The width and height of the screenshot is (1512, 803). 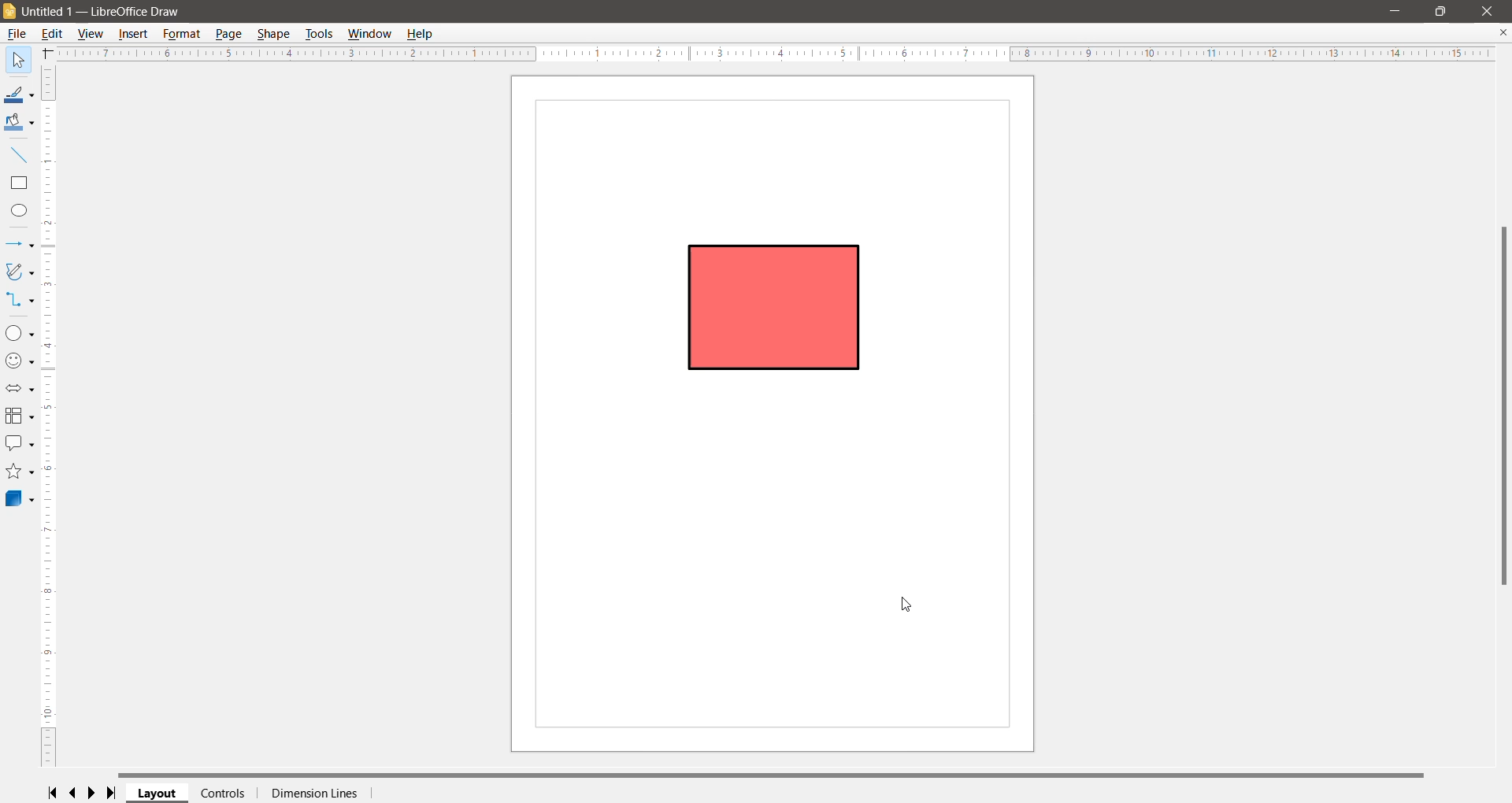 What do you see at coordinates (368, 34) in the screenshot?
I see `Window` at bounding box center [368, 34].